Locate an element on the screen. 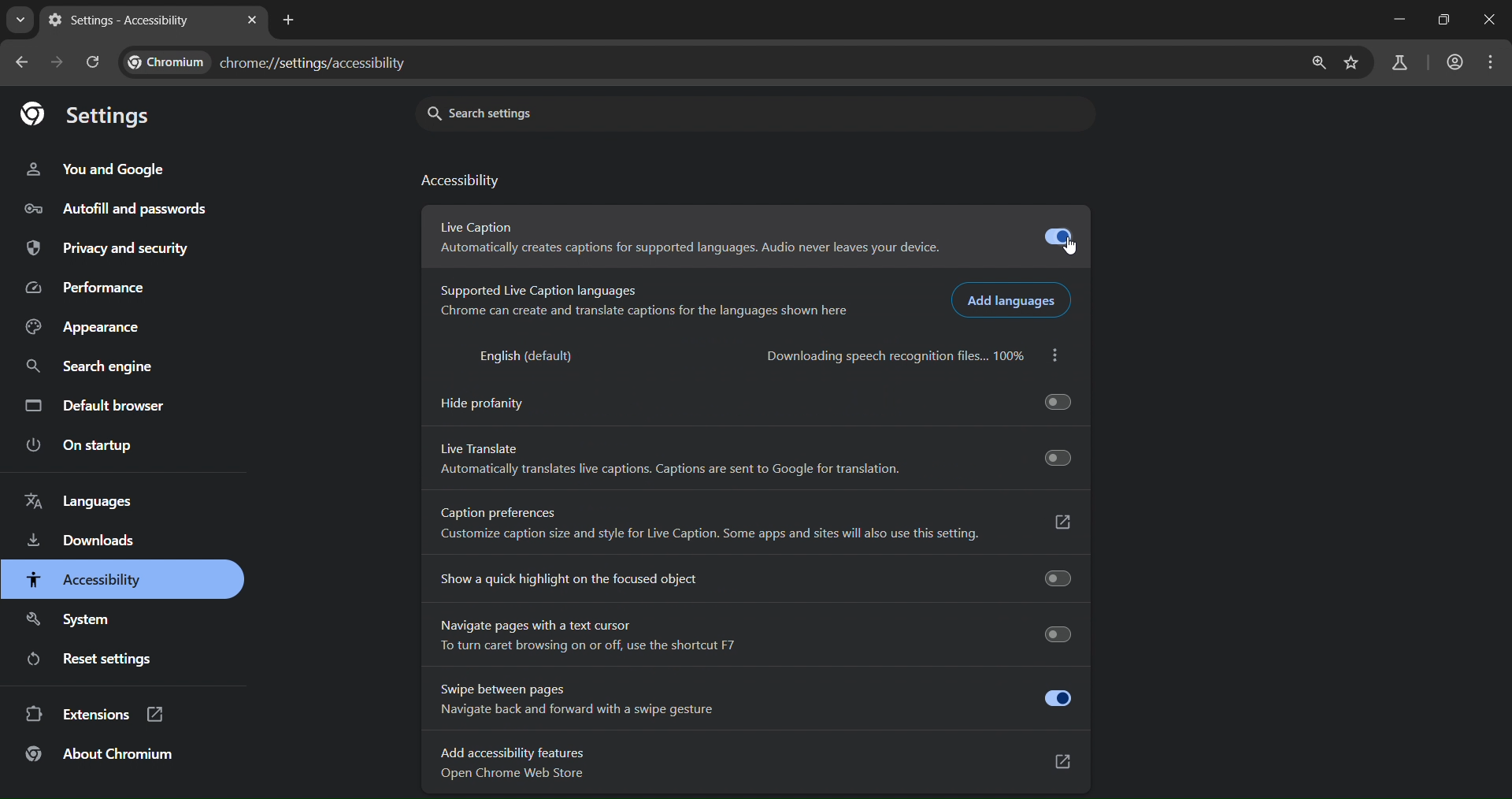  menu is located at coordinates (1490, 62).